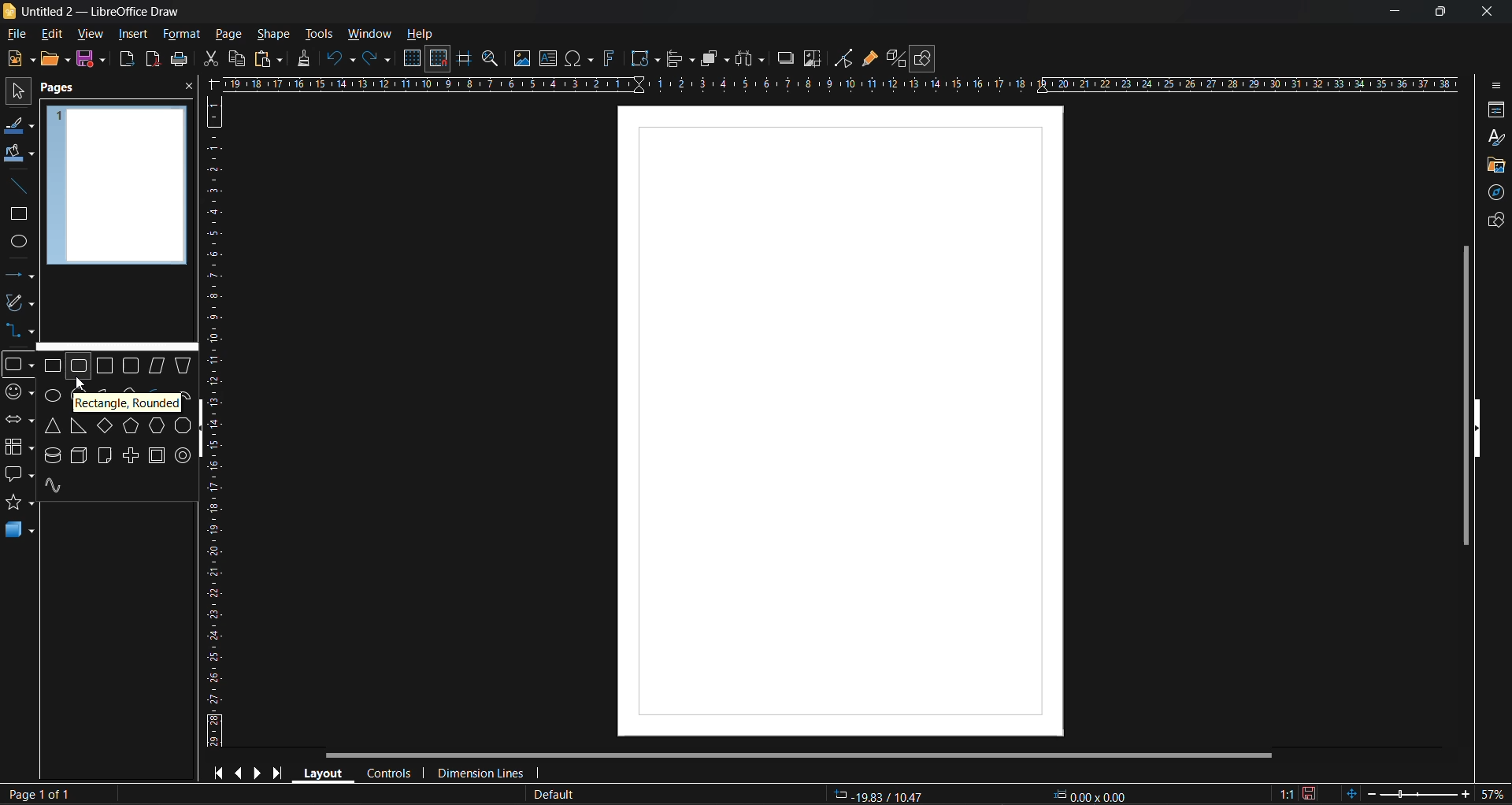 The height and width of the screenshot is (805, 1512). I want to click on fill color, so click(20, 153).